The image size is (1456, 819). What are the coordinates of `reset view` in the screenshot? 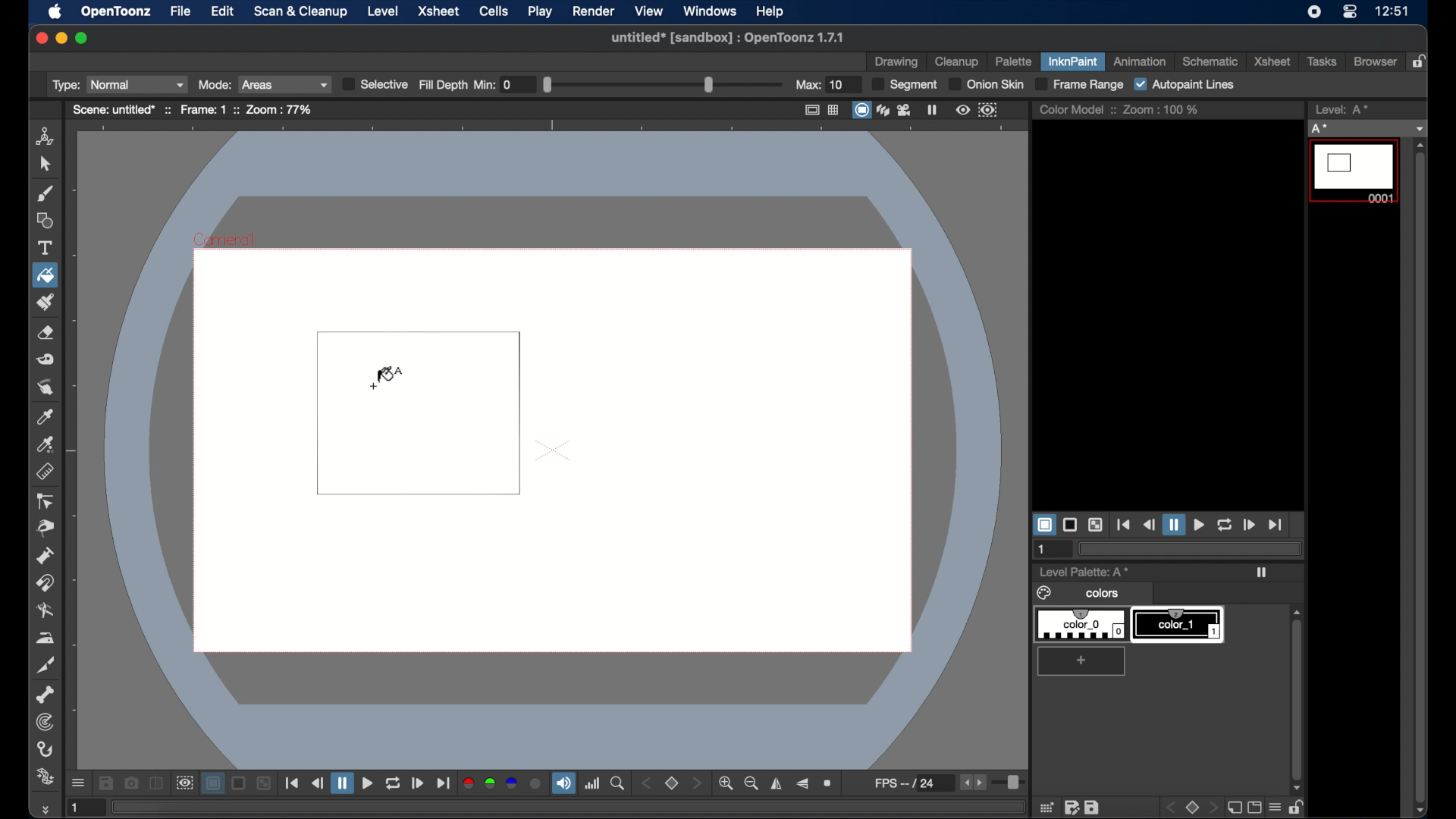 It's located at (829, 783).